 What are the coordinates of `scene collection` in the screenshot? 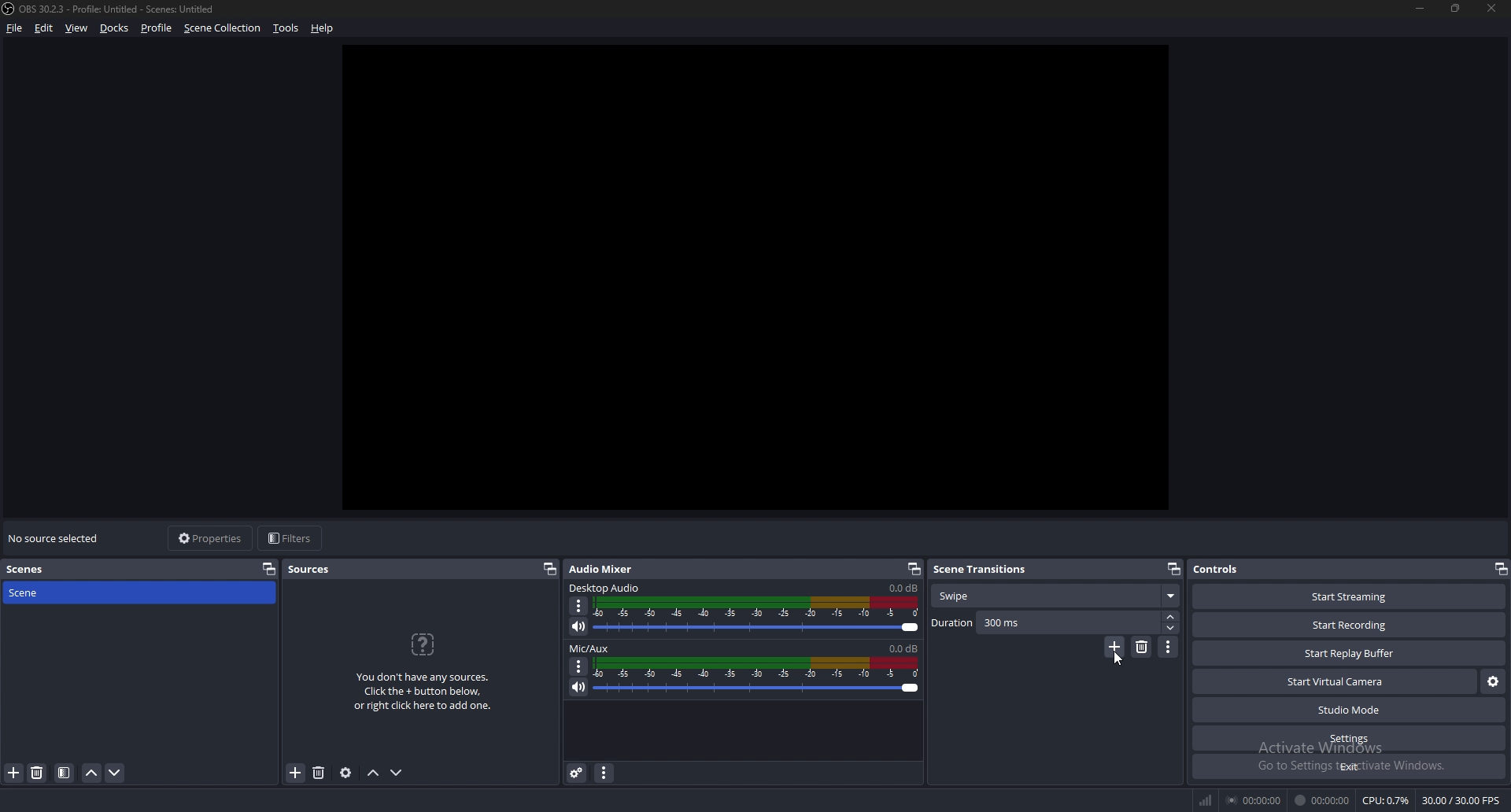 It's located at (224, 28).